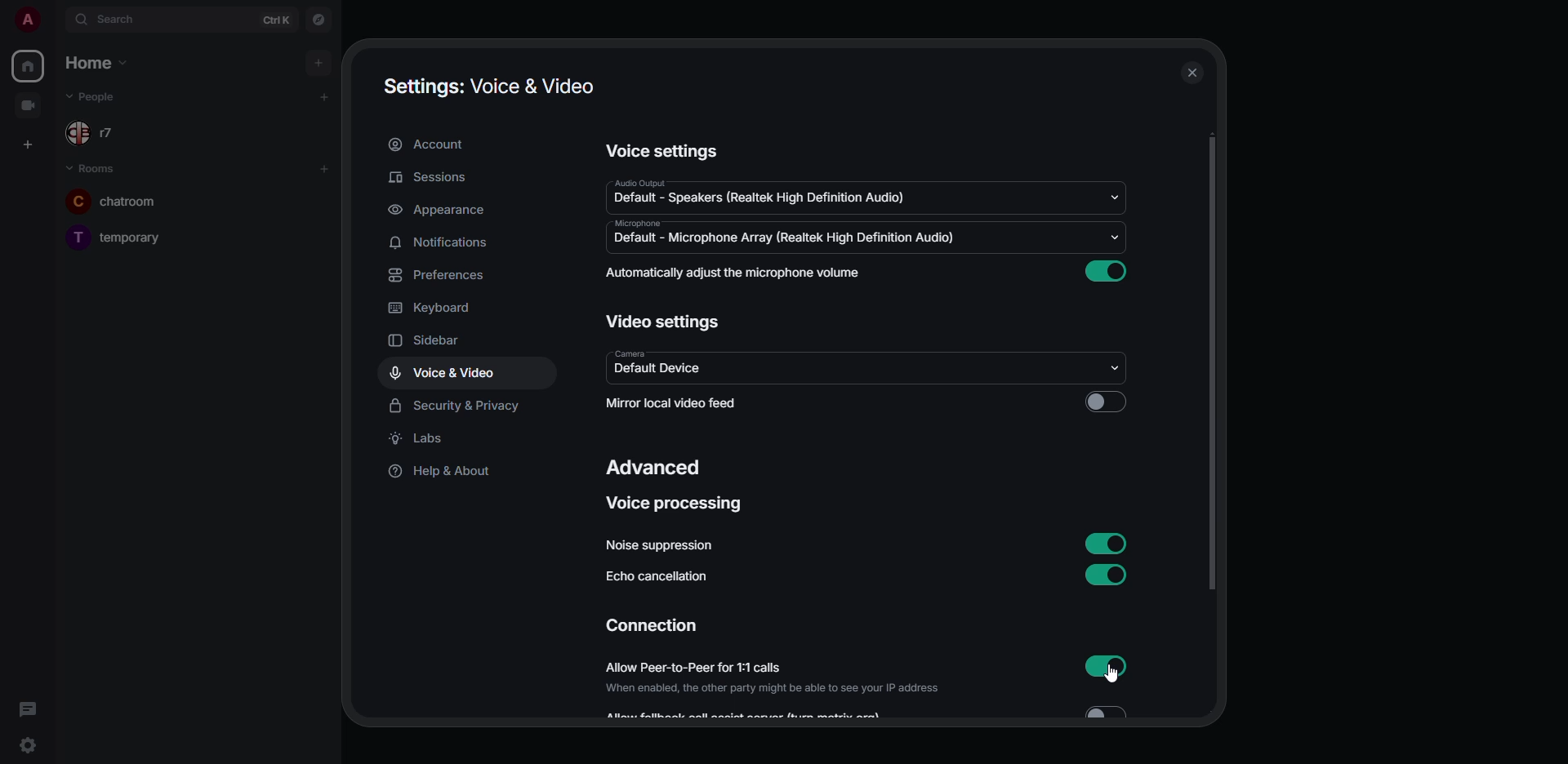  I want to click on cursor, so click(1112, 677).